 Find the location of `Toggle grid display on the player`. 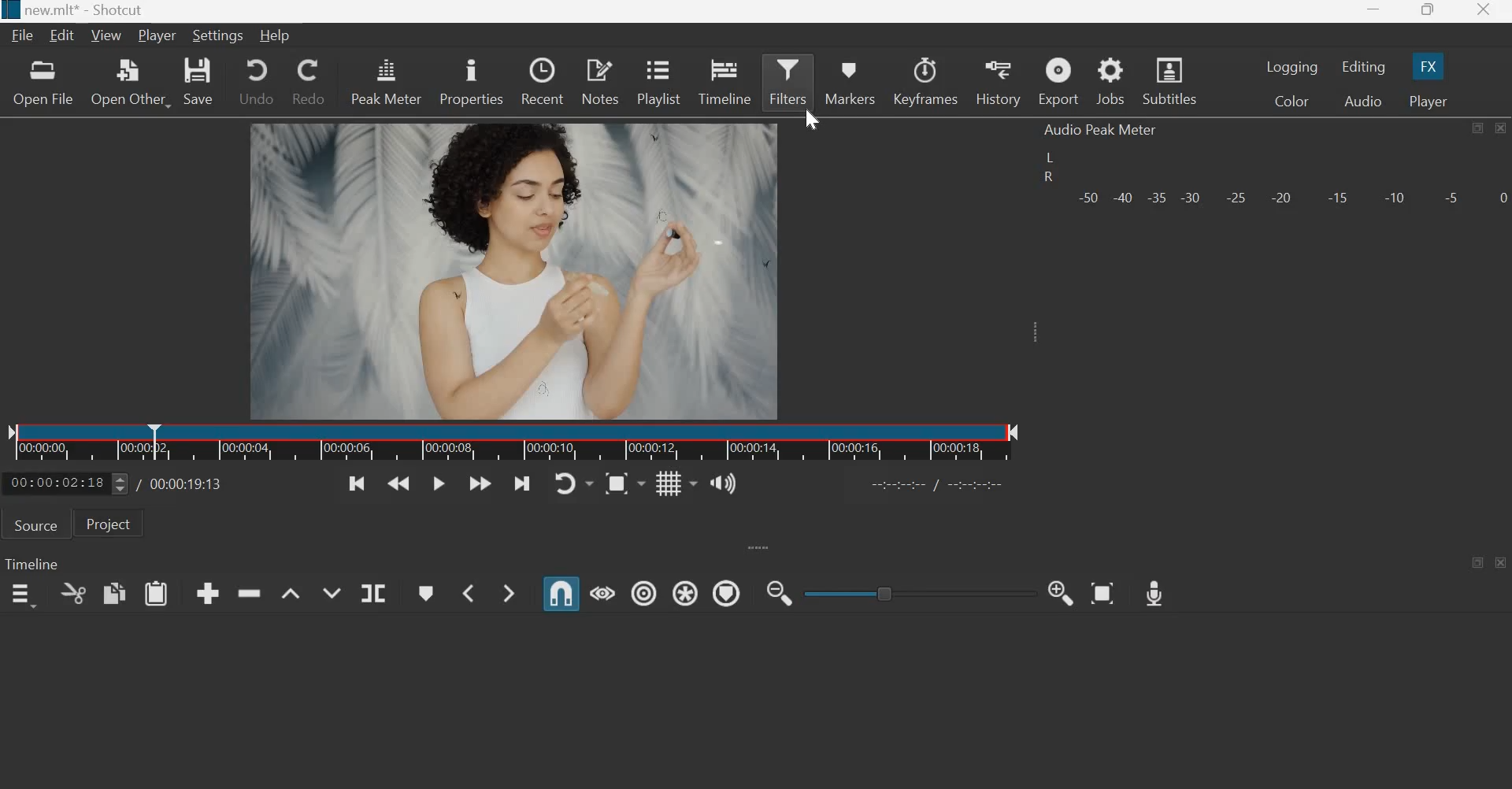

Toggle grid display on the player is located at coordinates (676, 484).